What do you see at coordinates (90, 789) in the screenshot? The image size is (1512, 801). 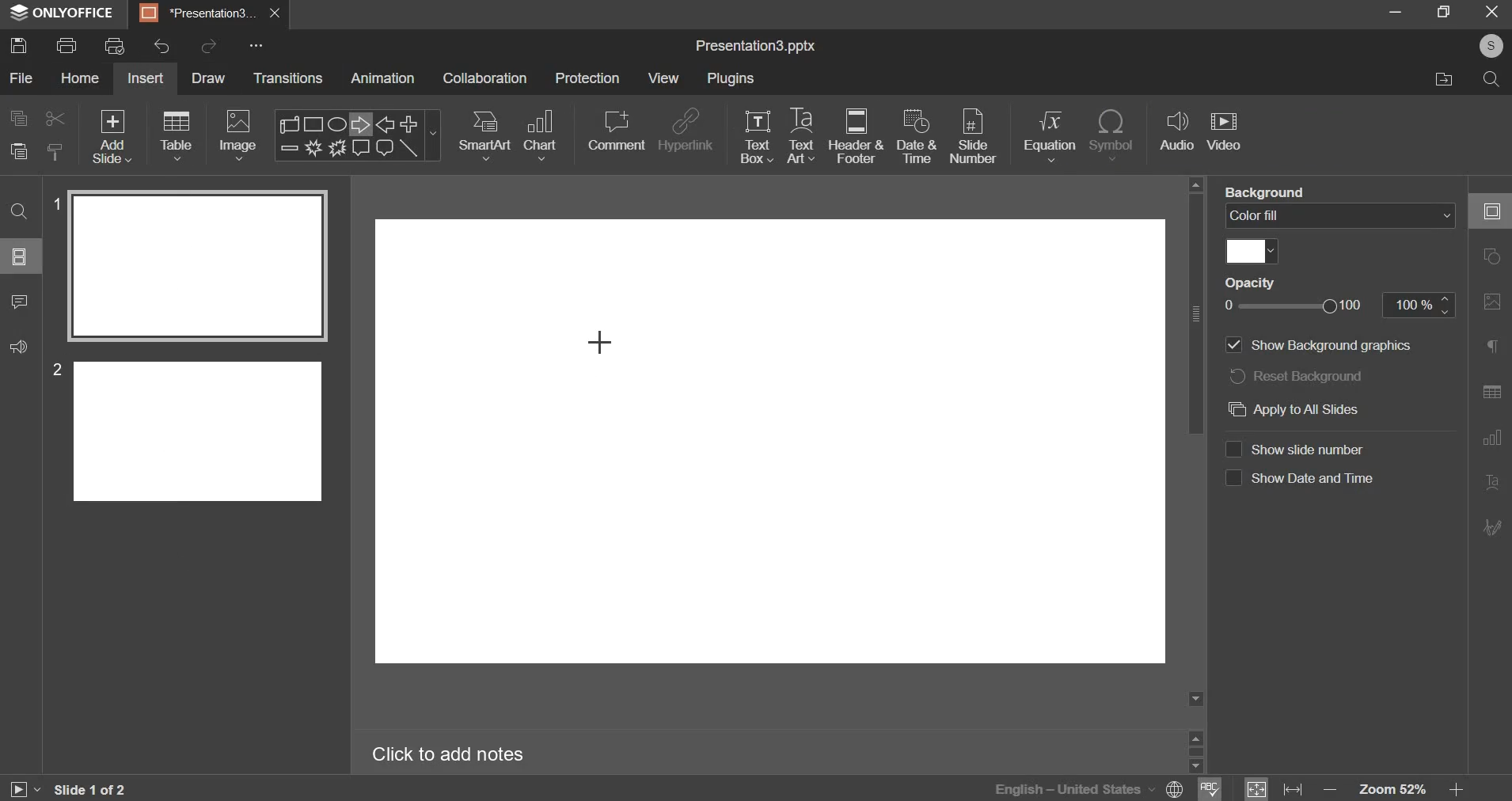 I see `active slide out of total slides` at bounding box center [90, 789].